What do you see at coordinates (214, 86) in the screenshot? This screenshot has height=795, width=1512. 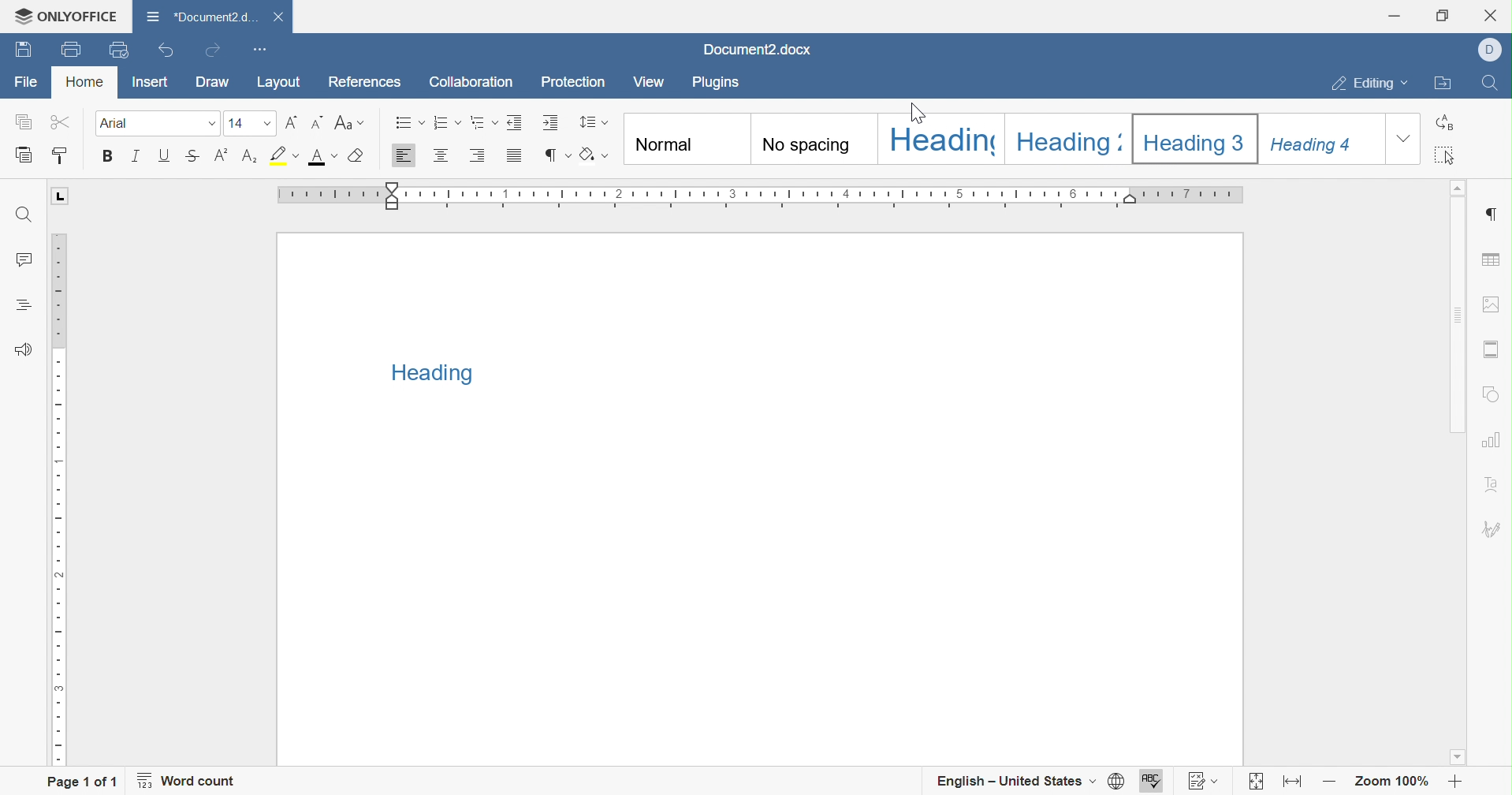 I see `Draw` at bounding box center [214, 86].